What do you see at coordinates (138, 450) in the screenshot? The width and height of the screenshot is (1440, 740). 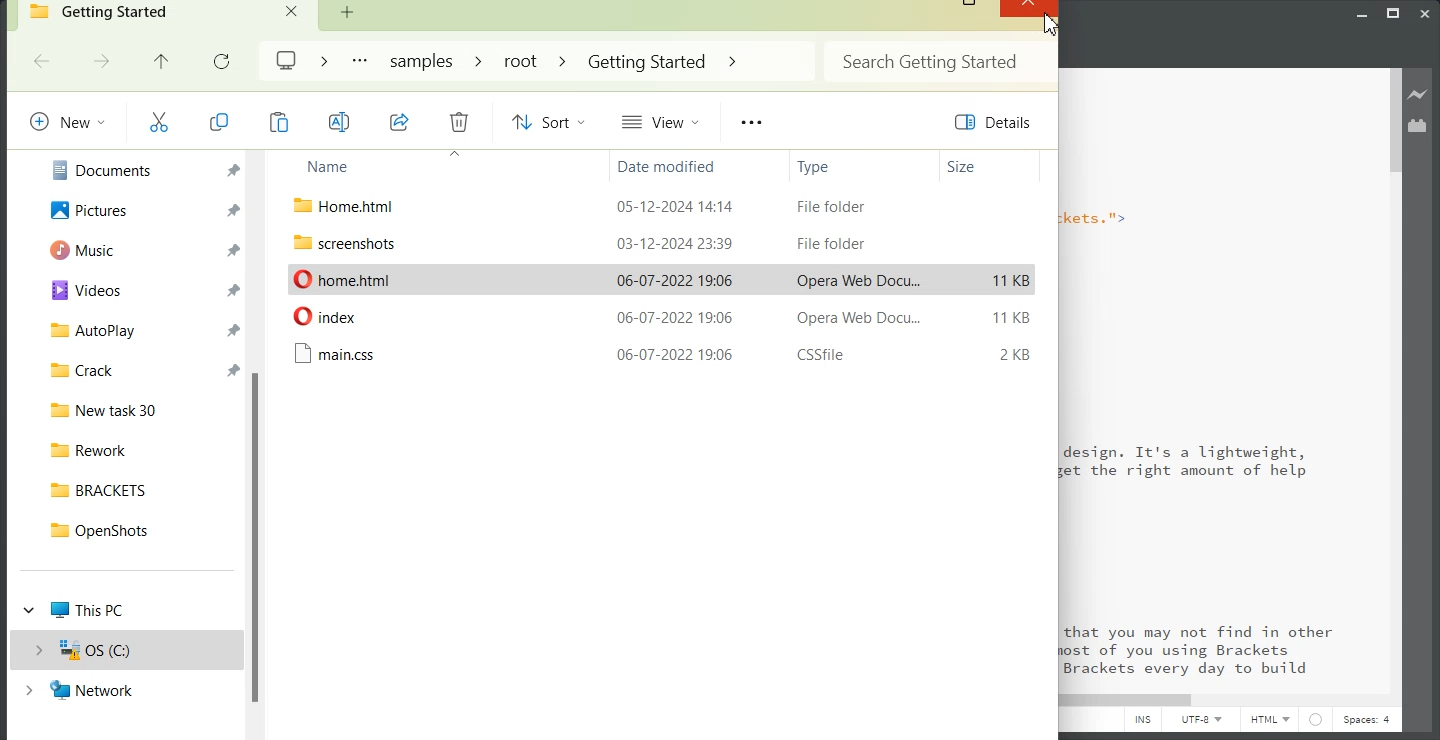 I see `Rework File` at bounding box center [138, 450].